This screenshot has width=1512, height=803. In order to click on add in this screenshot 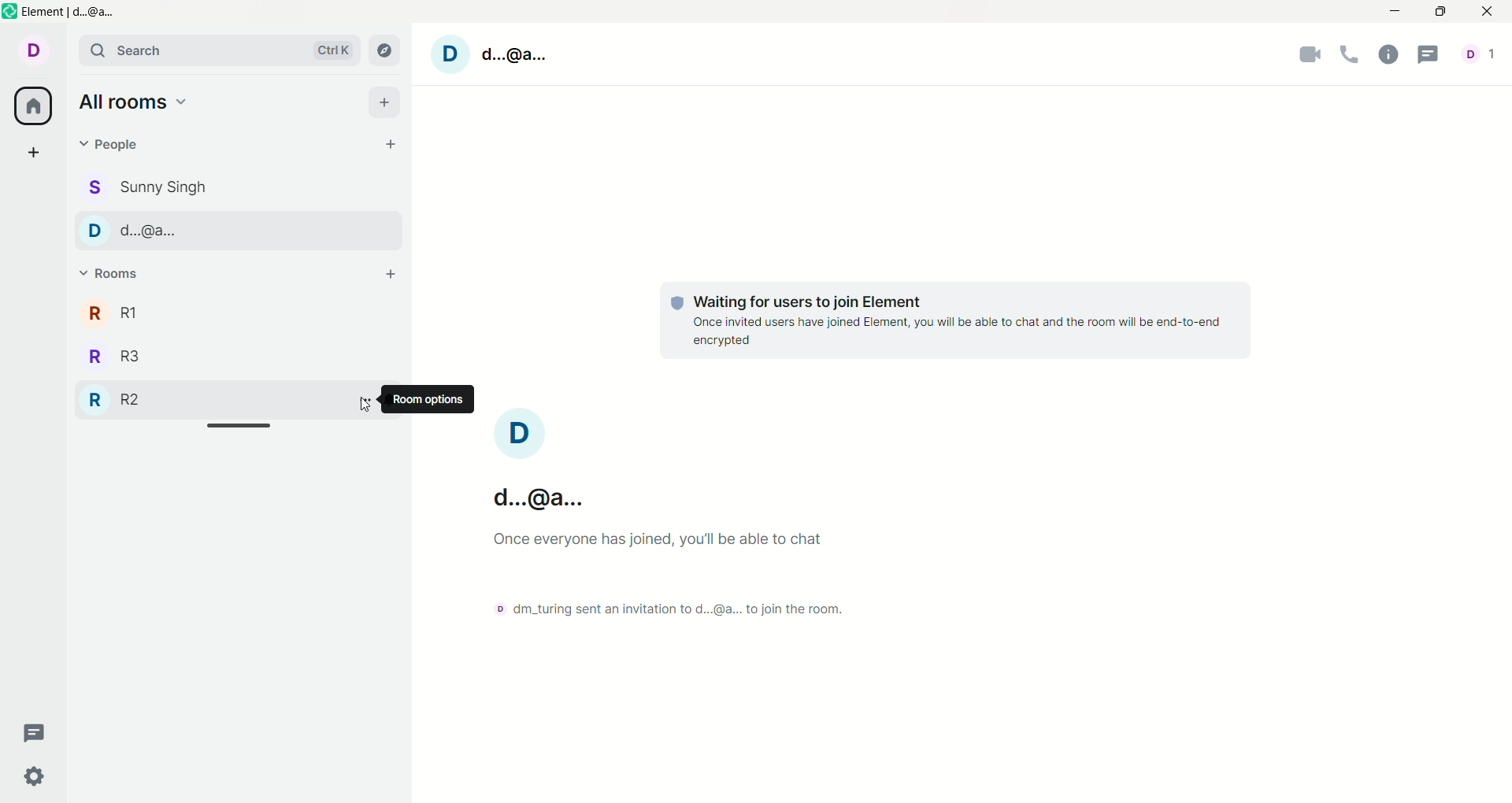, I will do `click(391, 276)`.